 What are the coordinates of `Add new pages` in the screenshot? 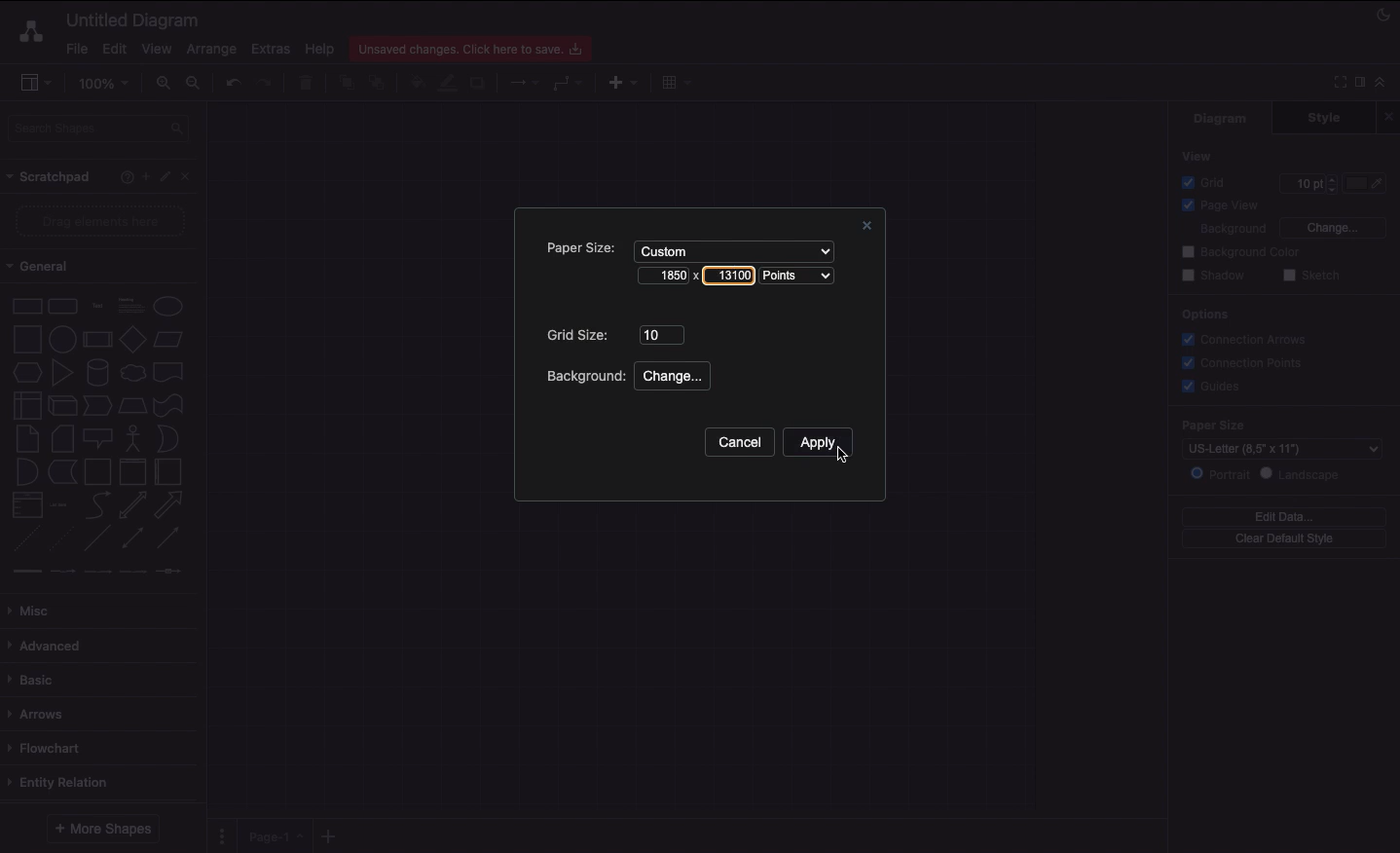 It's located at (331, 837).